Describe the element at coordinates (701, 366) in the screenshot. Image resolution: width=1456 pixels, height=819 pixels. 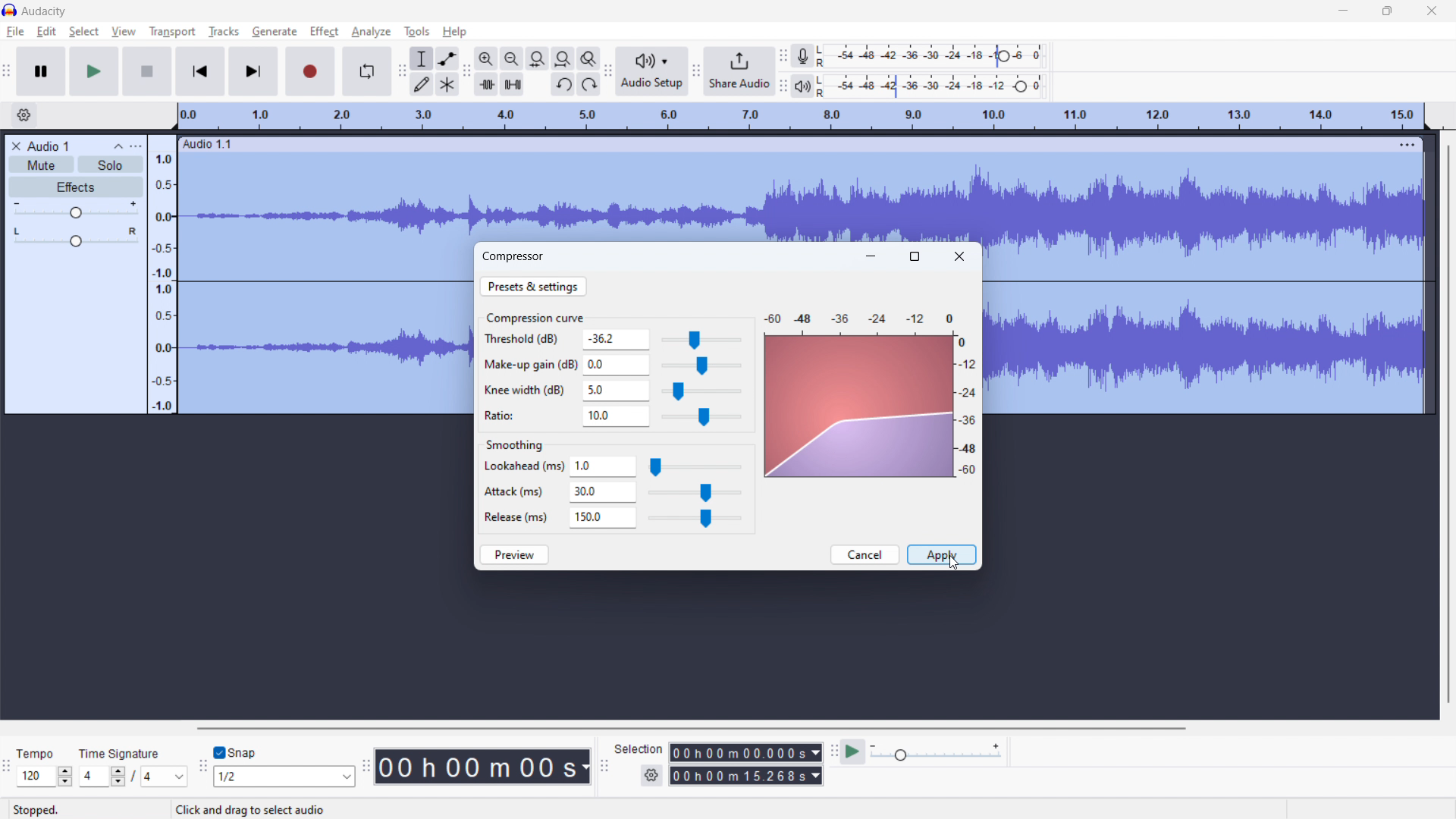
I see `make-up gain threshold` at that location.